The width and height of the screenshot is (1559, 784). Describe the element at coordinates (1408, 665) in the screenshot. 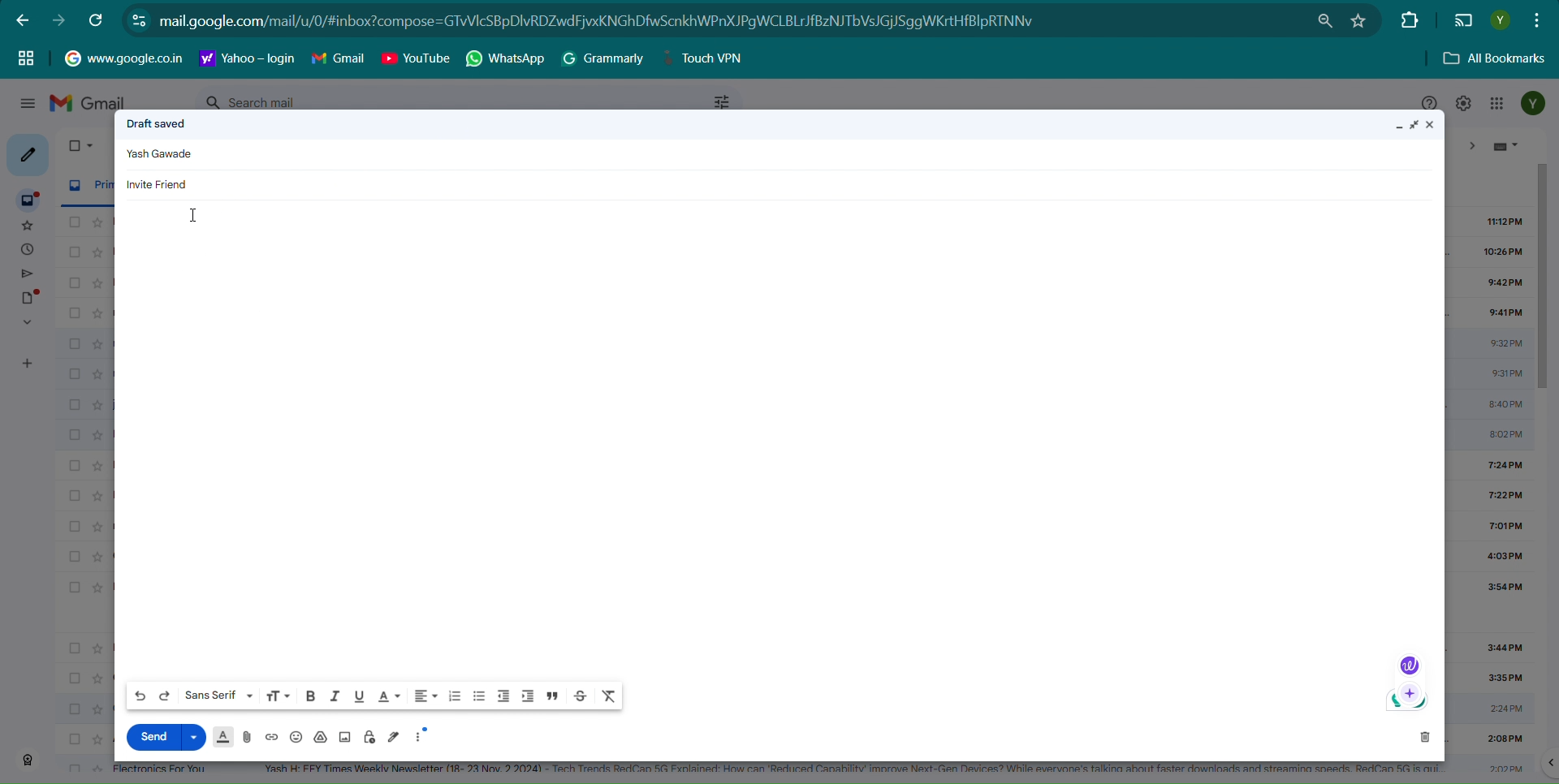

I see `Logo` at that location.